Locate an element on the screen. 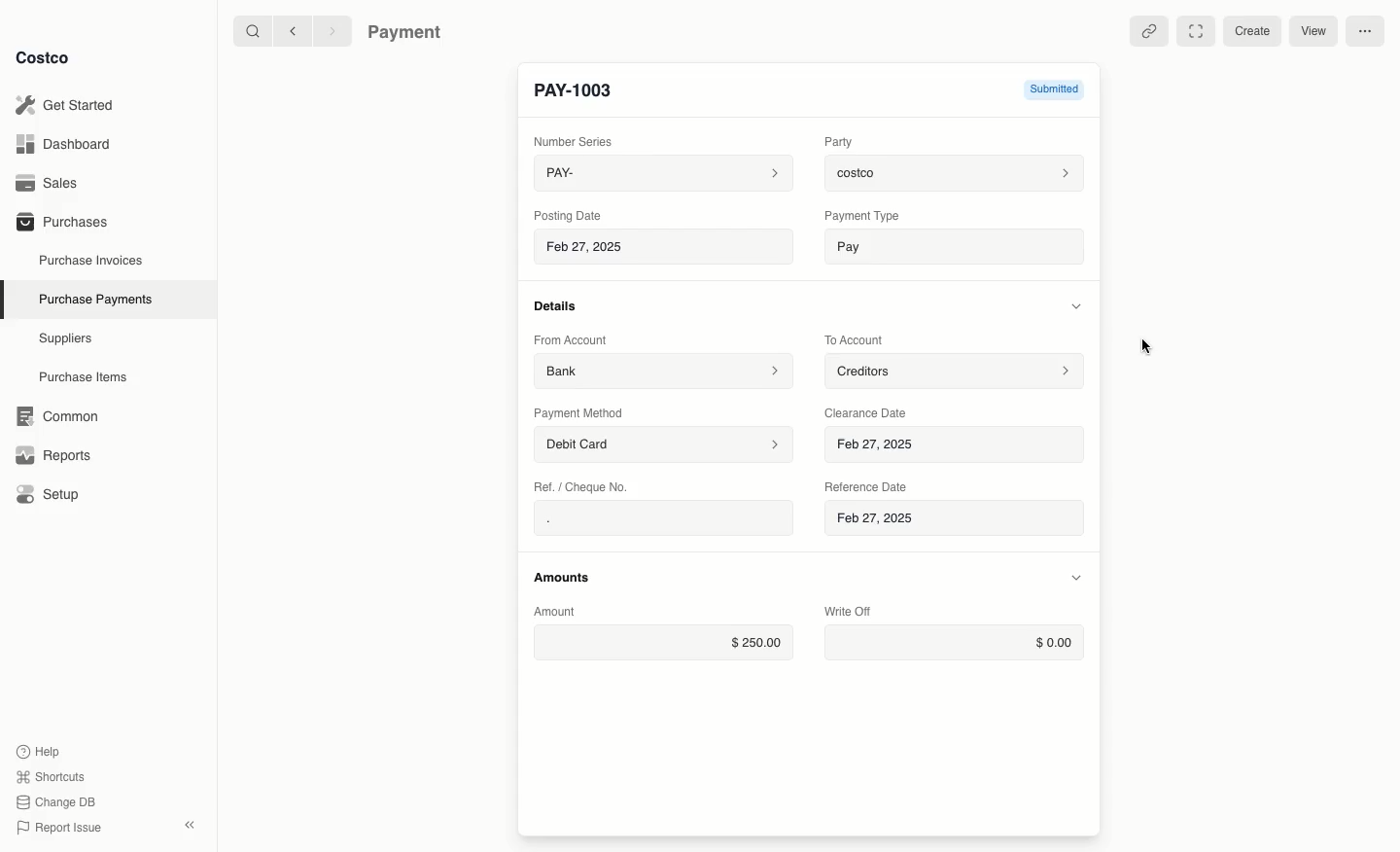 This screenshot has width=1400, height=852. Details is located at coordinates (561, 305).